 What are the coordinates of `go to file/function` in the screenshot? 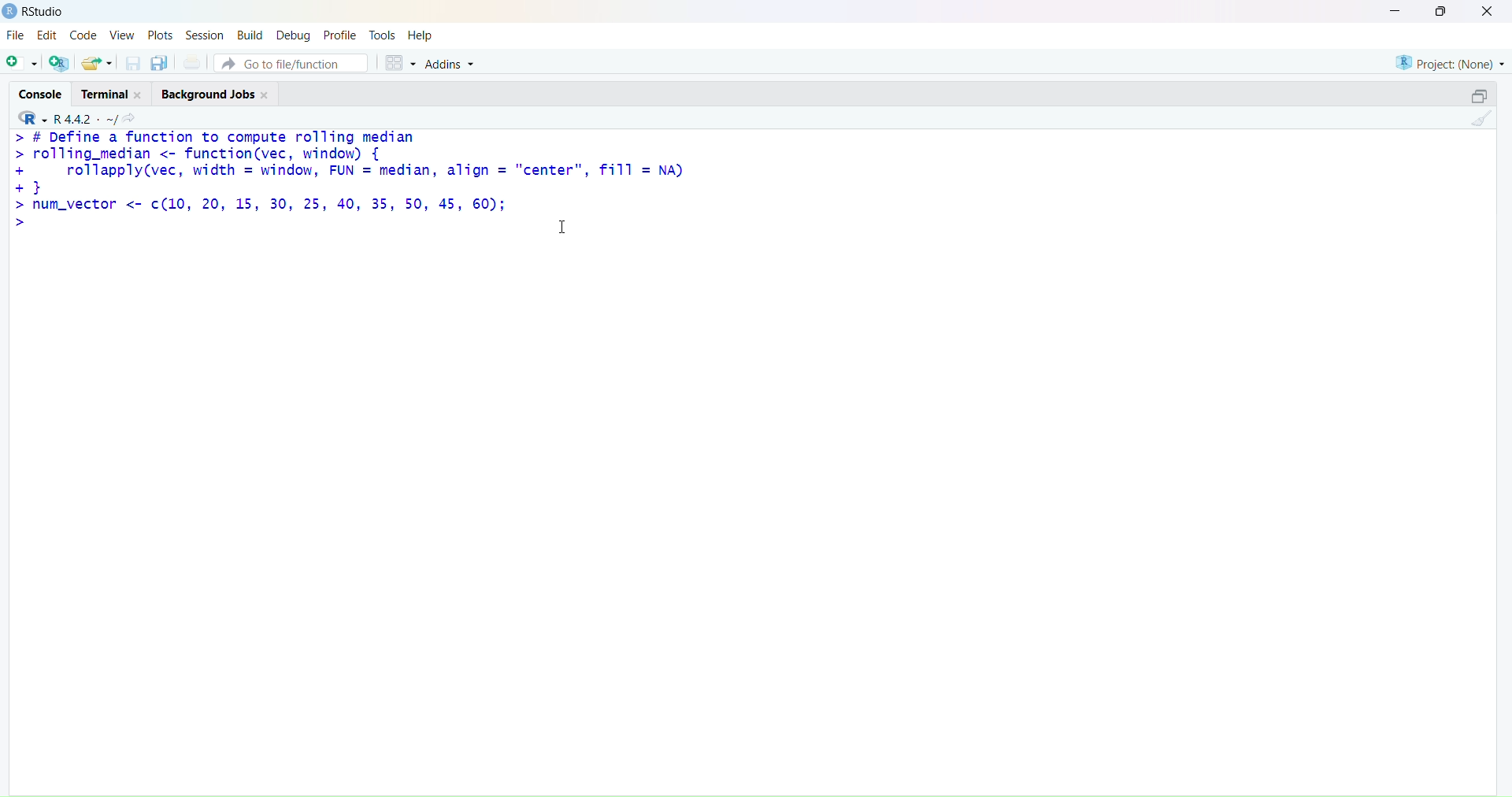 It's located at (293, 64).